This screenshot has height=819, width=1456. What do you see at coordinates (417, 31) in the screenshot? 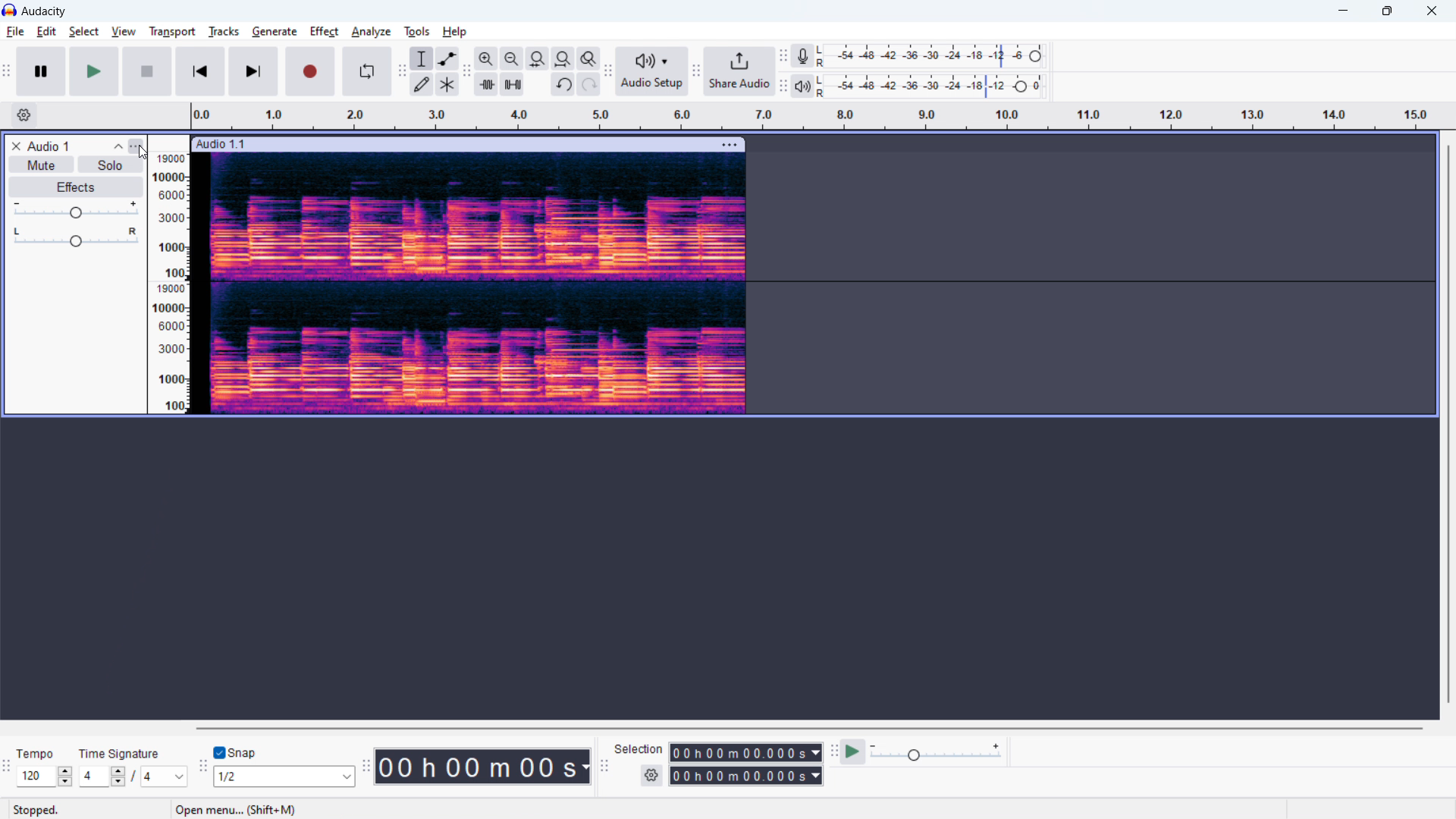
I see `tools` at bounding box center [417, 31].